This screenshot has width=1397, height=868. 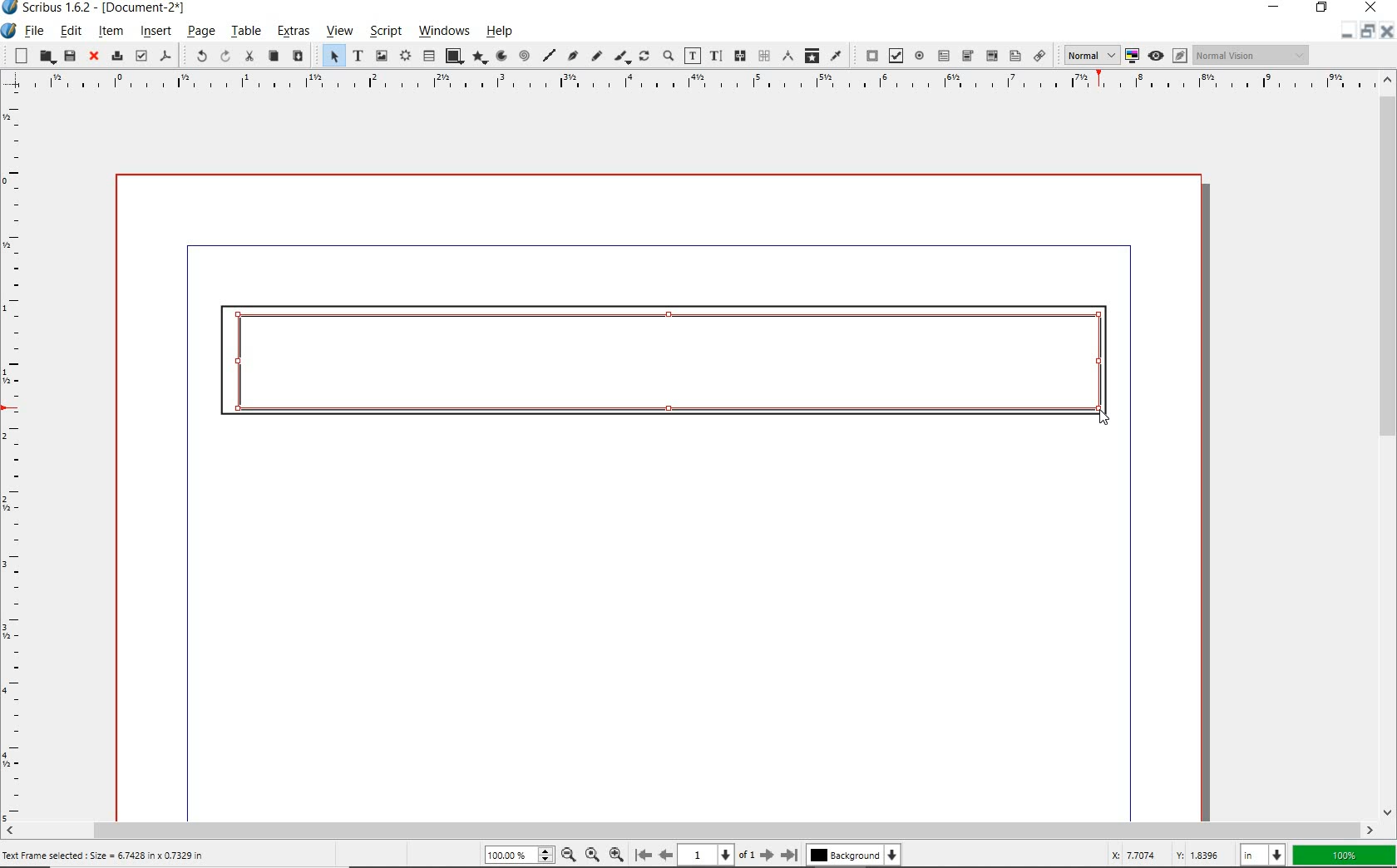 I want to click on system name, so click(x=96, y=7).